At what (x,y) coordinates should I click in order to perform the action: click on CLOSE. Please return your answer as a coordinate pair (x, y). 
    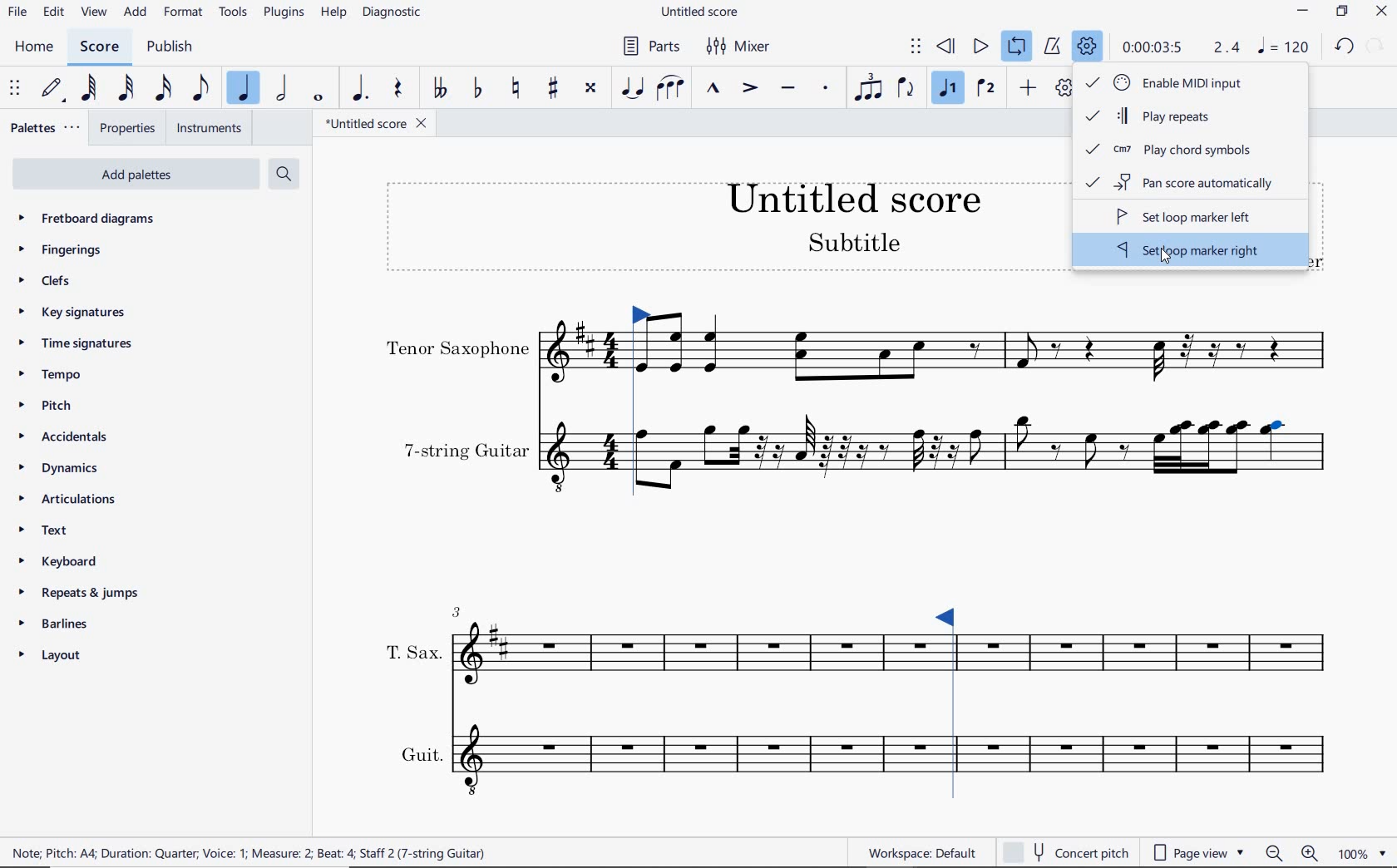
    Looking at the image, I should click on (1380, 13).